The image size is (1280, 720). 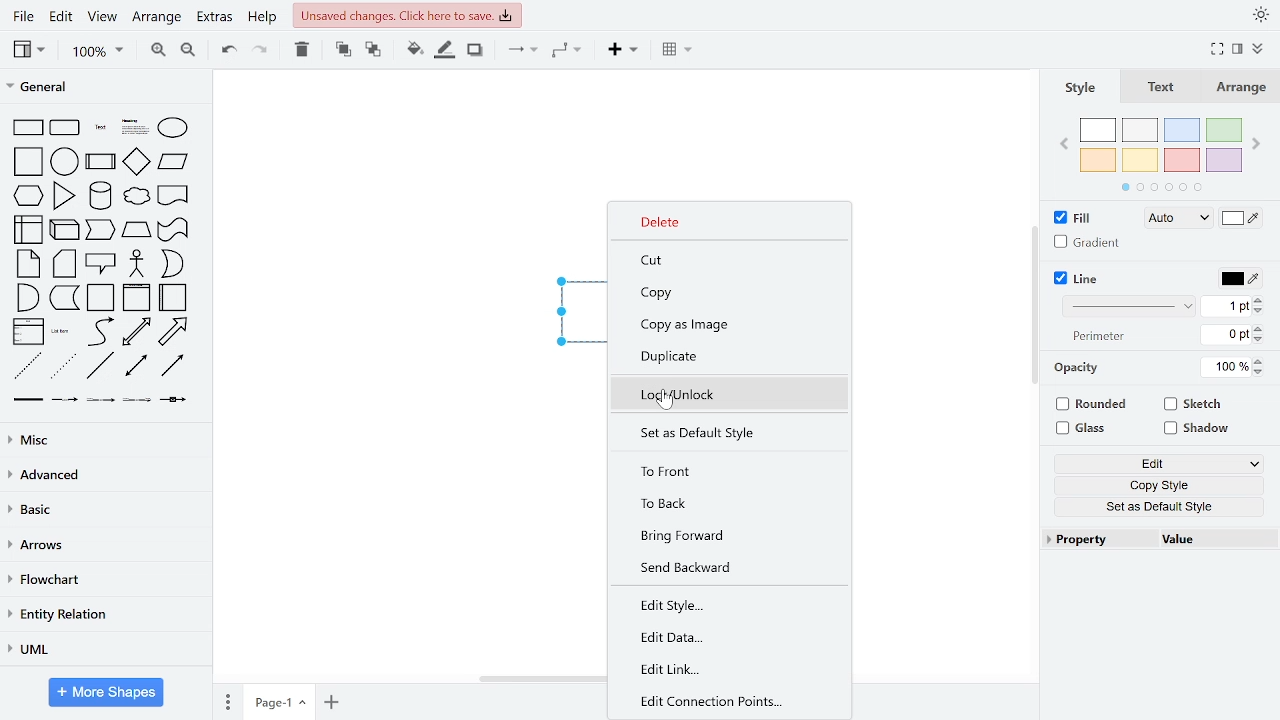 I want to click on parallelogram, so click(x=174, y=163).